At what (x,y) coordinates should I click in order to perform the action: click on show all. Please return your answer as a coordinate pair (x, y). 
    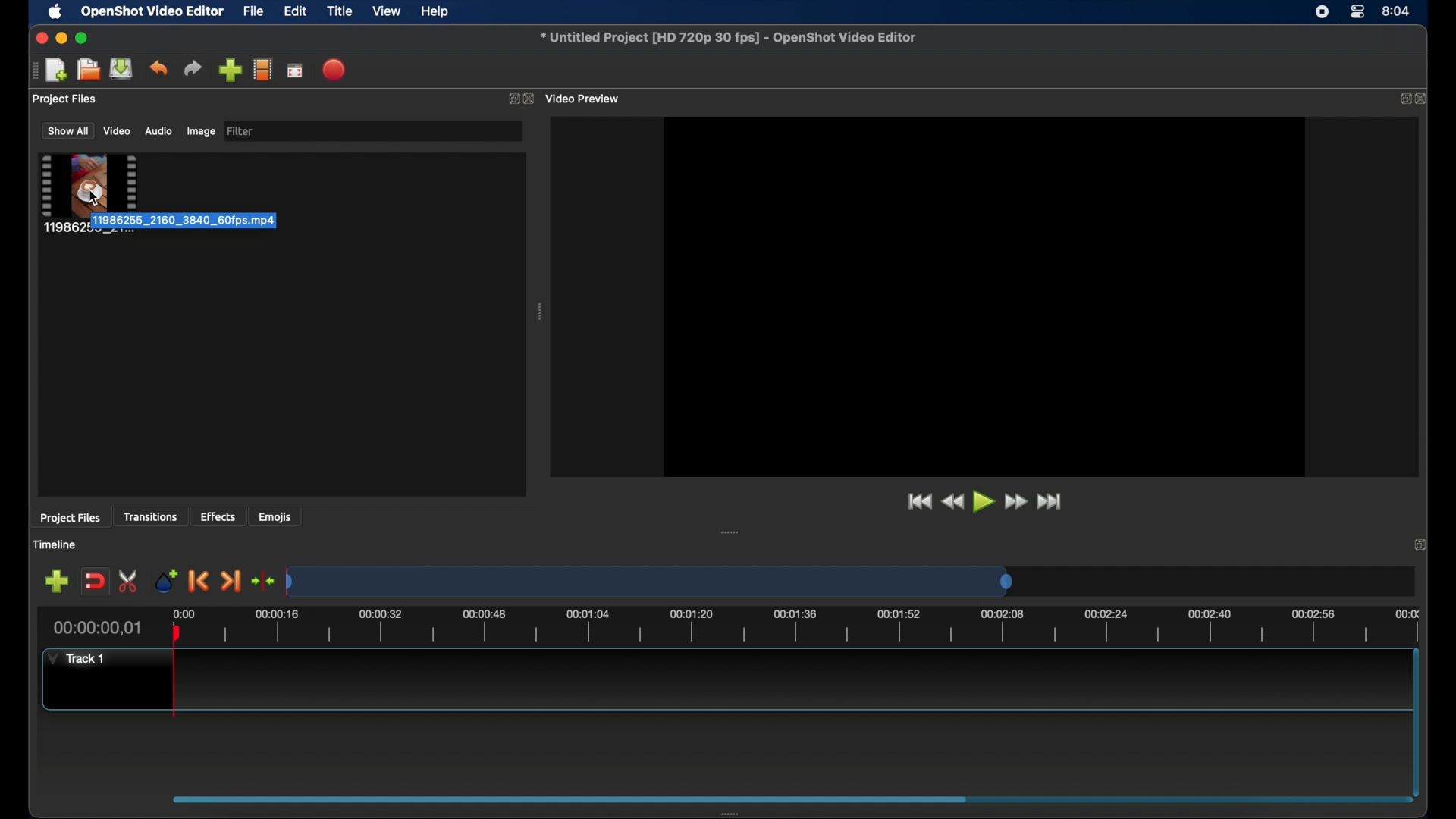
    Looking at the image, I should click on (67, 131).